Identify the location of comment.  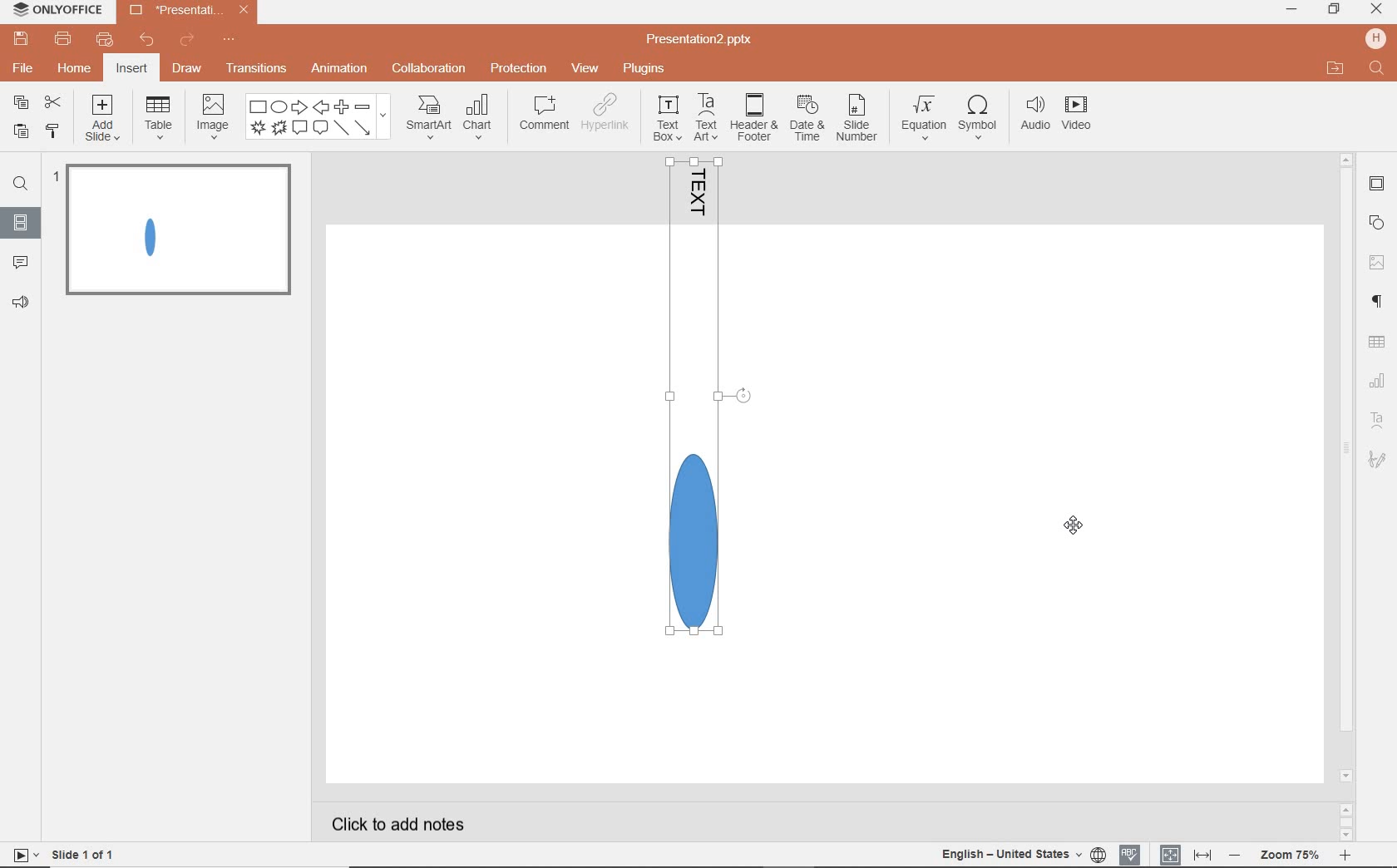
(545, 113).